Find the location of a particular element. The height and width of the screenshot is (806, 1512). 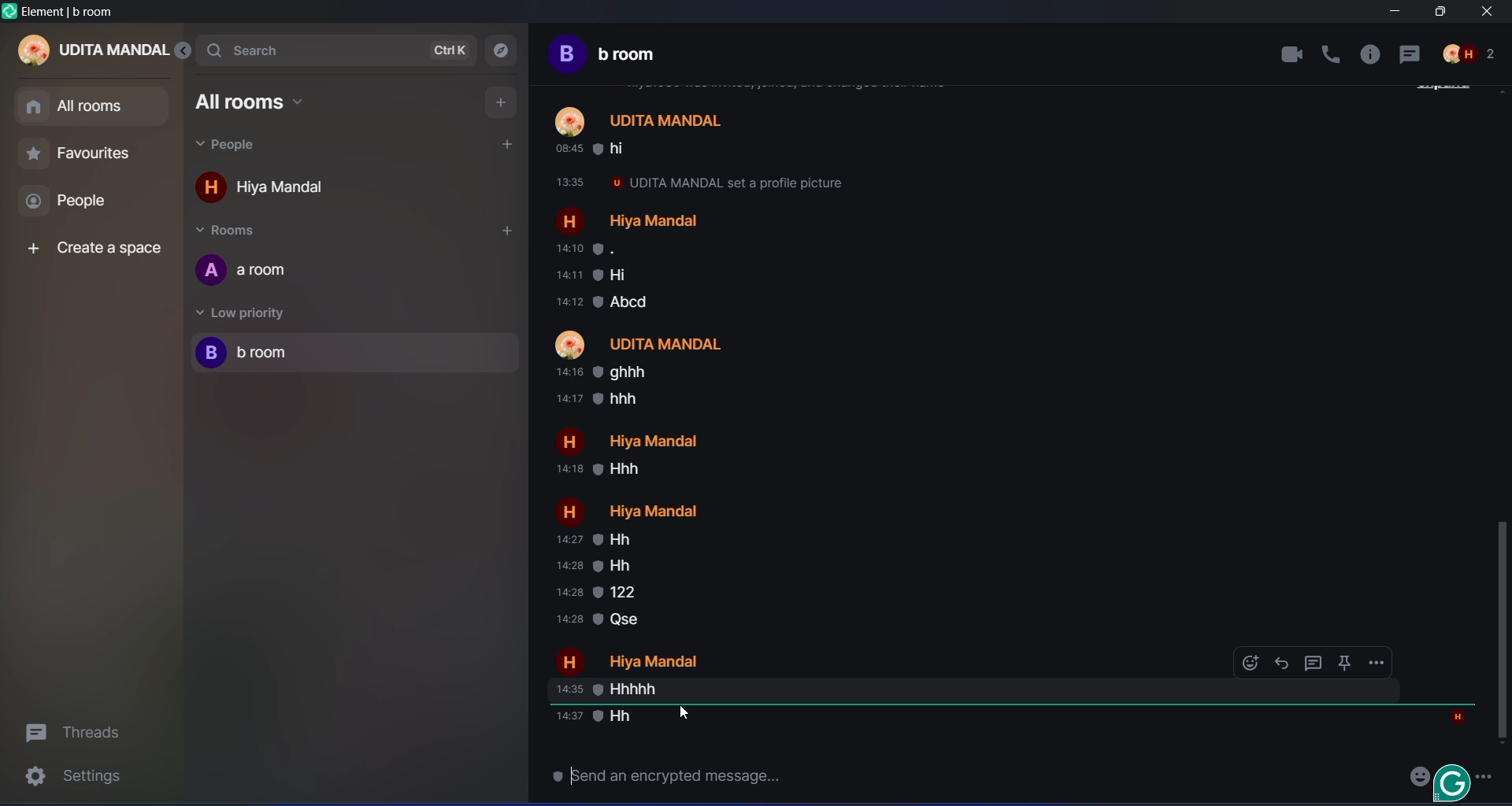

people is located at coordinates (237, 142).